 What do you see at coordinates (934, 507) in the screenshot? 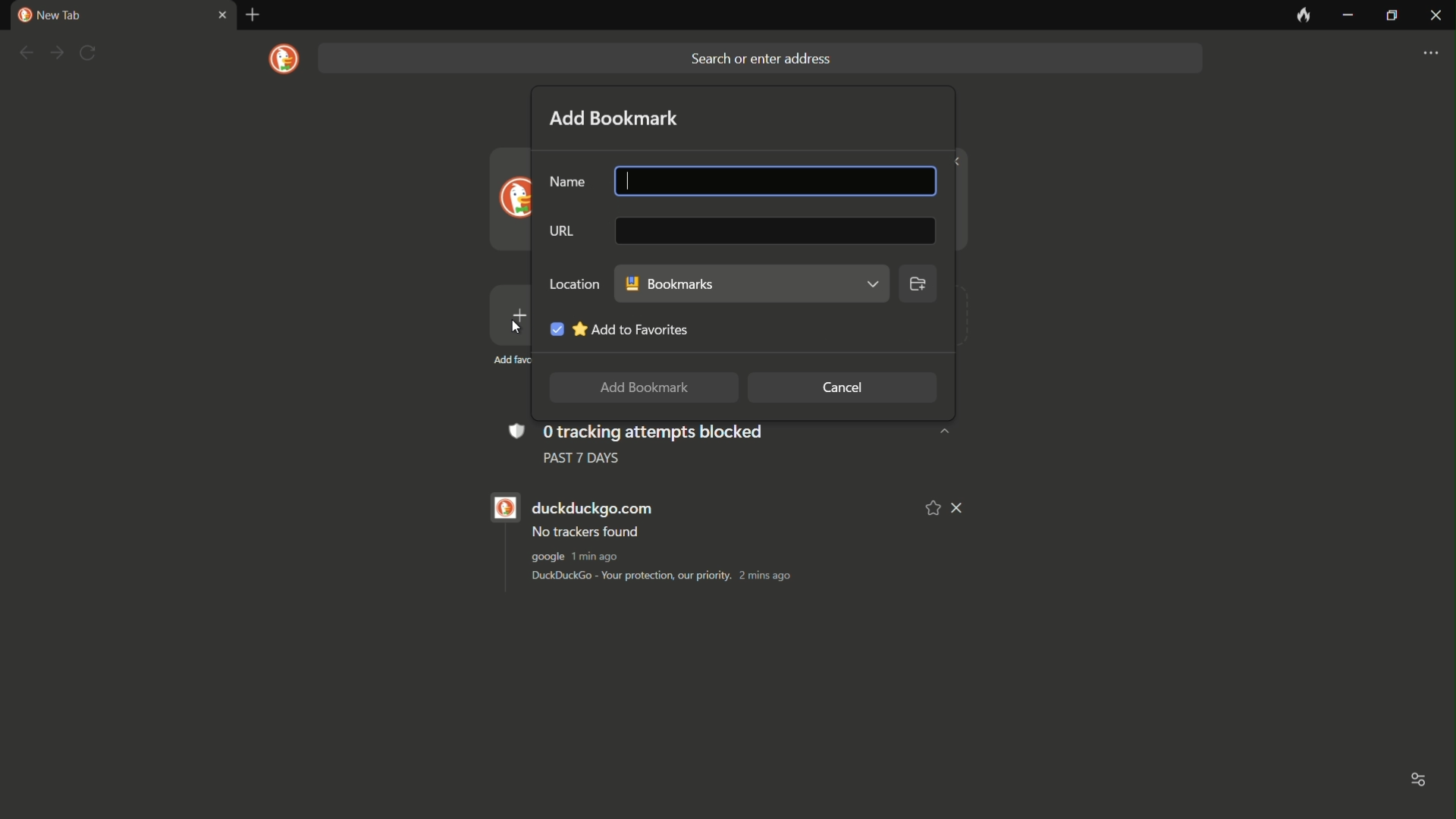
I see `add to favorite` at bounding box center [934, 507].